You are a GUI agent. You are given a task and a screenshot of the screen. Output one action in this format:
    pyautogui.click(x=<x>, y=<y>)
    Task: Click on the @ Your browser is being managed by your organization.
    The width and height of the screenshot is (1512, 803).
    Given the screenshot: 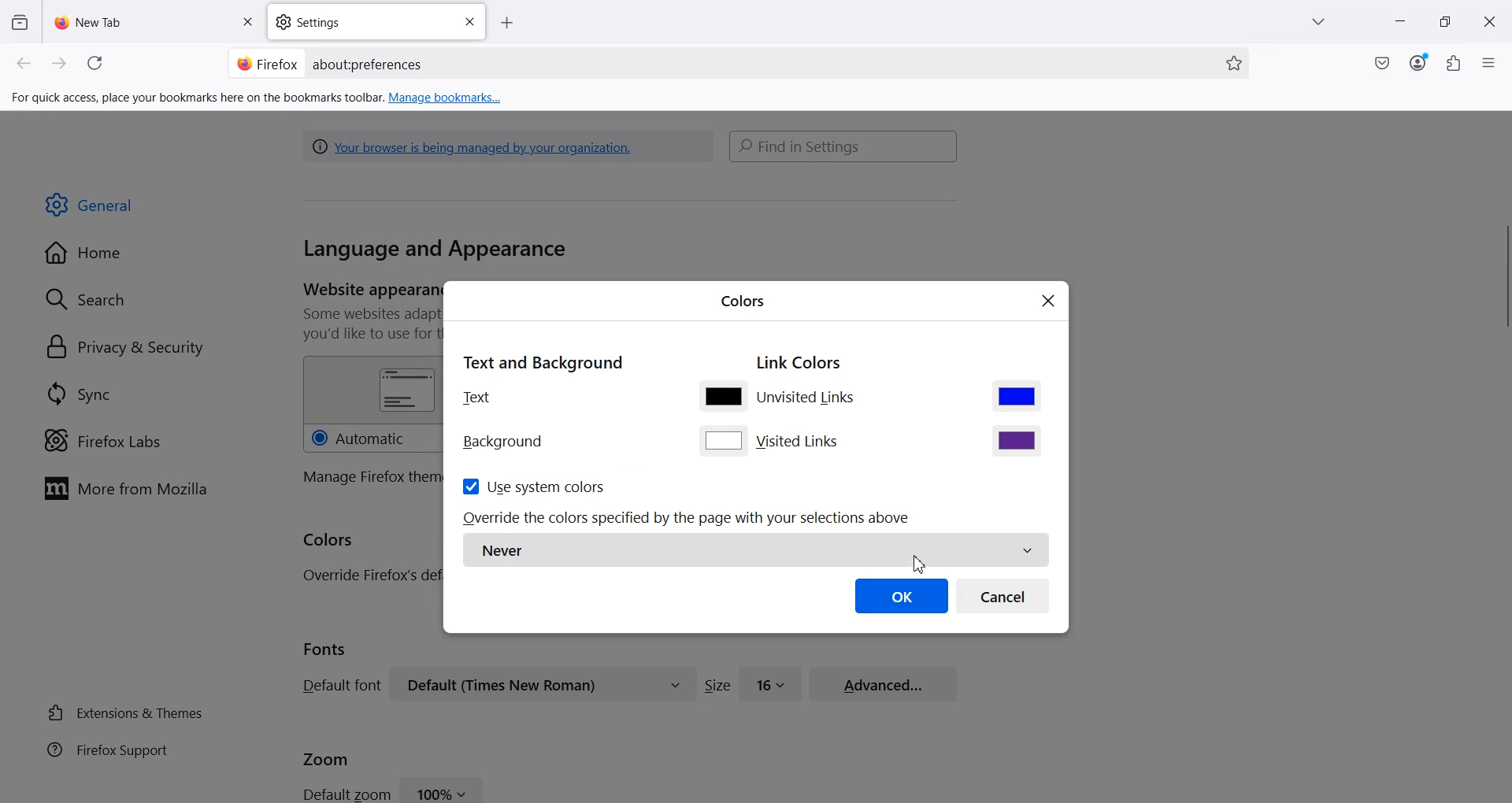 What is the action you would take?
    pyautogui.click(x=476, y=146)
    